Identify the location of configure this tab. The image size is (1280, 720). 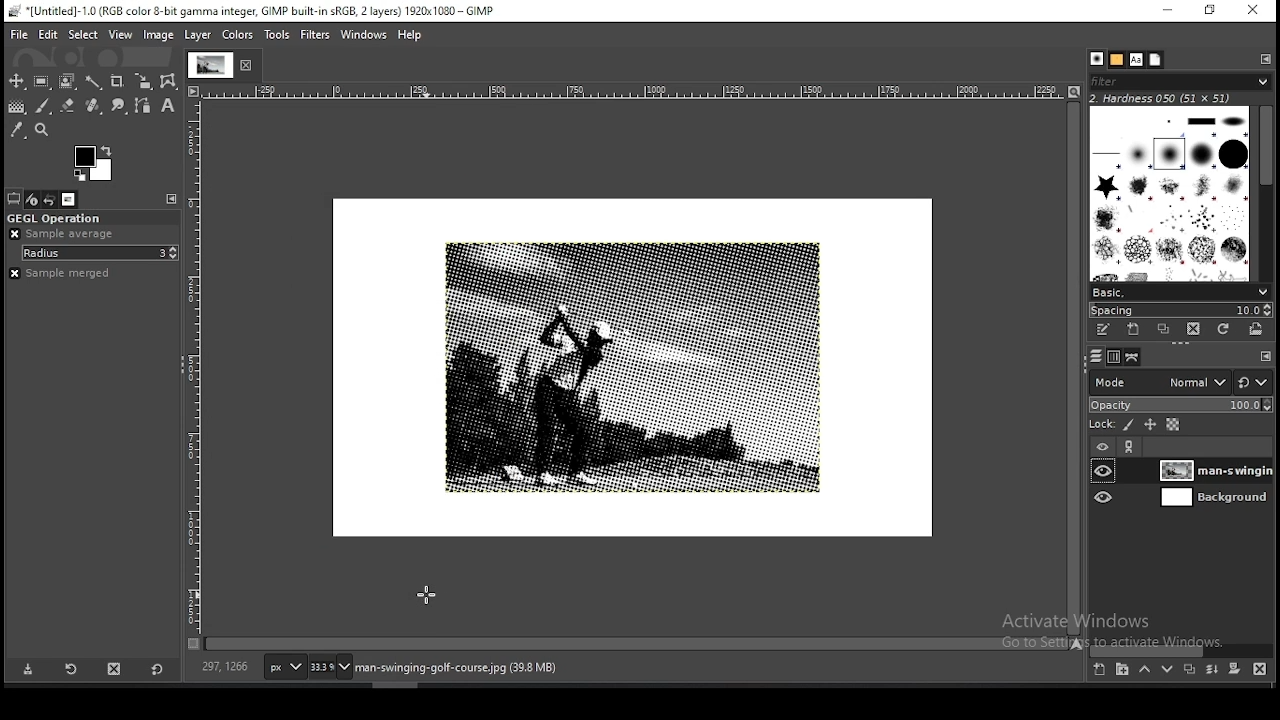
(1267, 358).